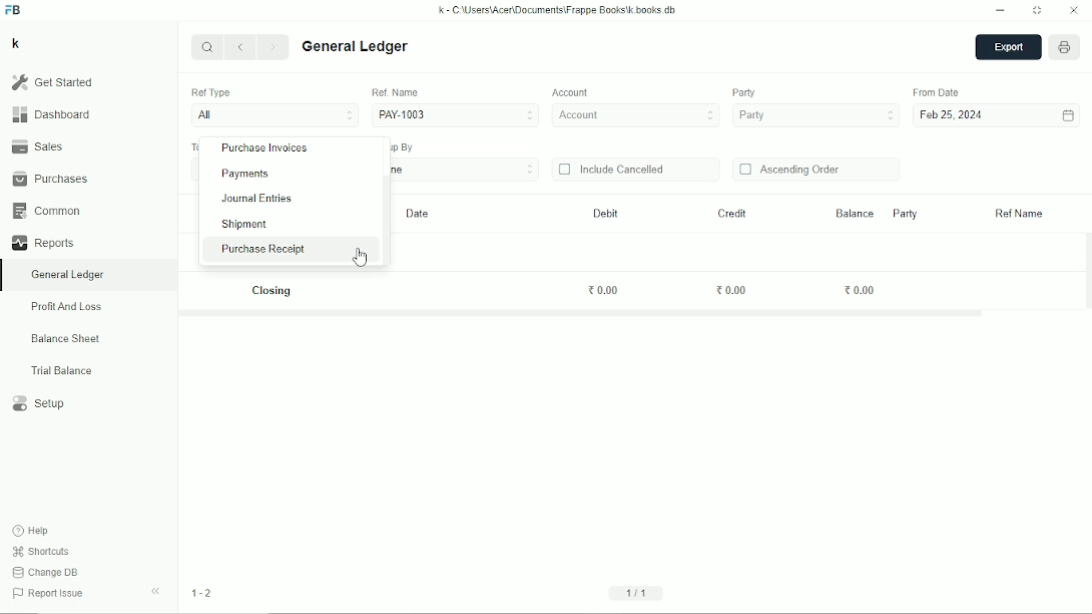 This screenshot has width=1092, height=614. I want to click on 1-2, so click(202, 593).